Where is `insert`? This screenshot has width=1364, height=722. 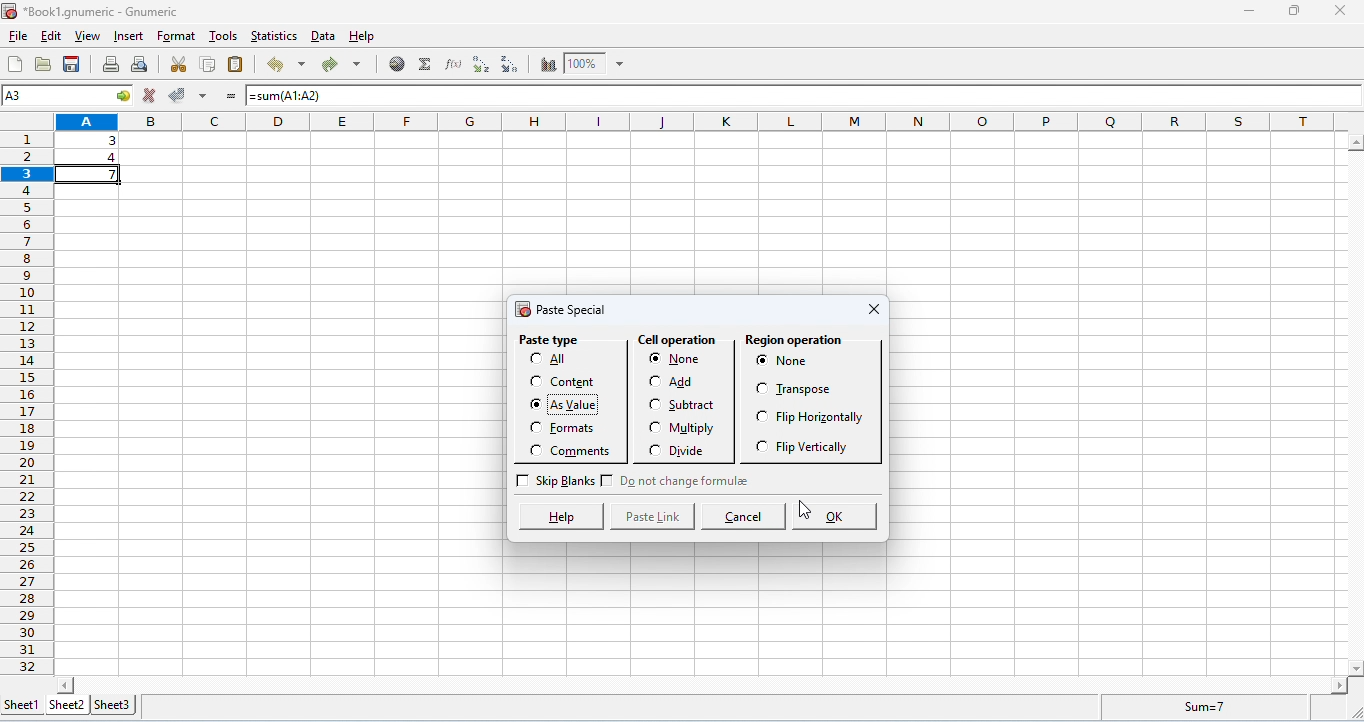 insert is located at coordinates (129, 36).